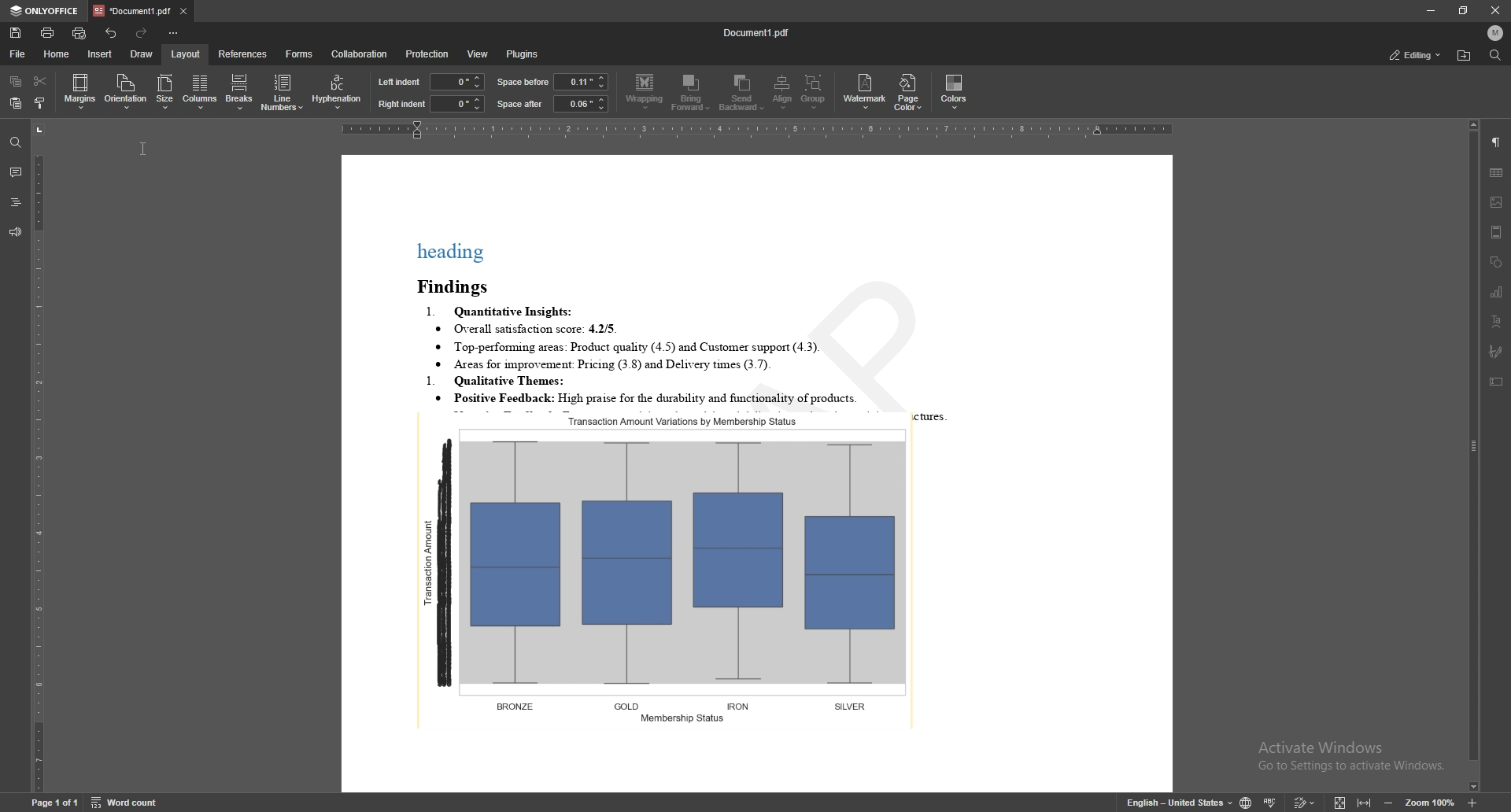 The height and width of the screenshot is (812, 1511). I want to click on send backward, so click(742, 91).